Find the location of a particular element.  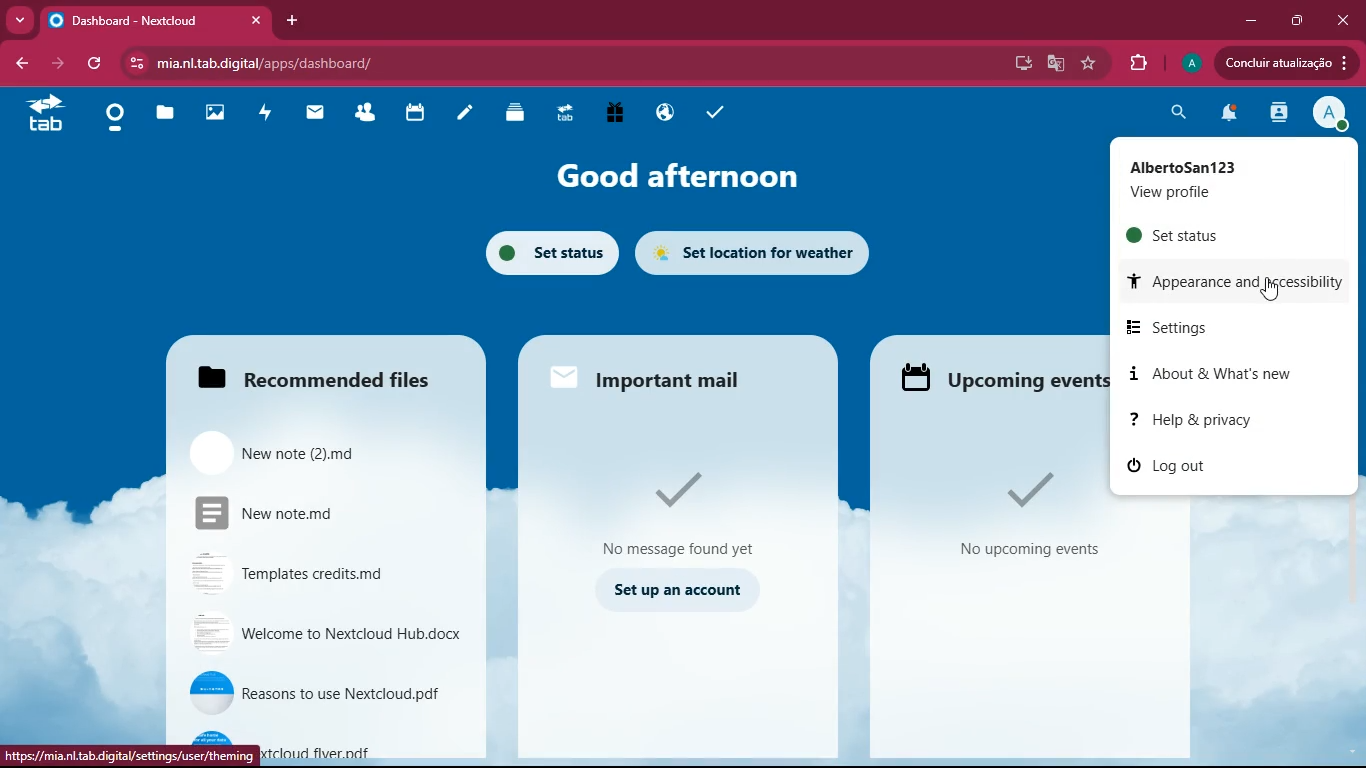

No message found yet is located at coordinates (676, 497).